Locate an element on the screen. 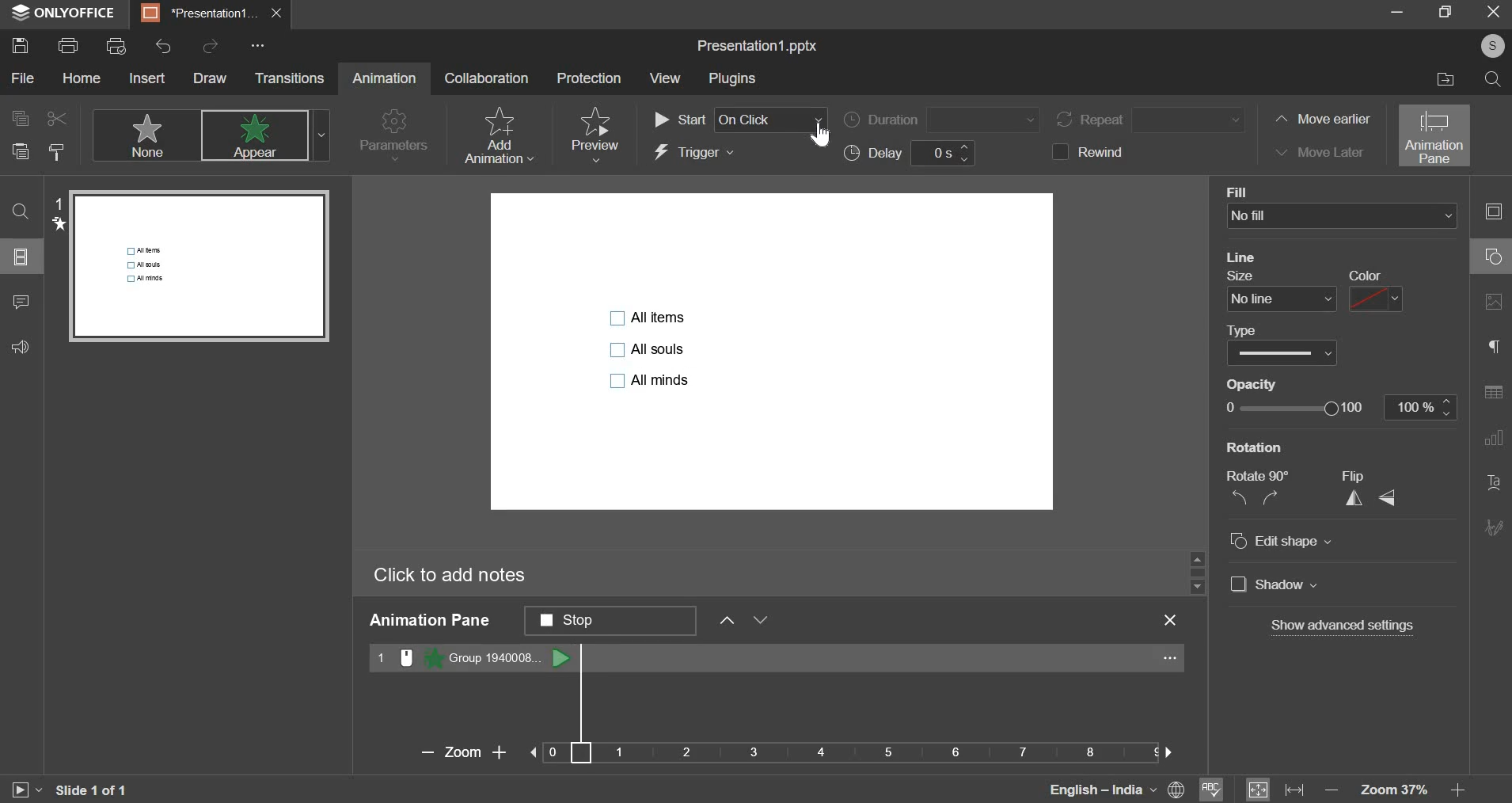  view is located at coordinates (666, 78).